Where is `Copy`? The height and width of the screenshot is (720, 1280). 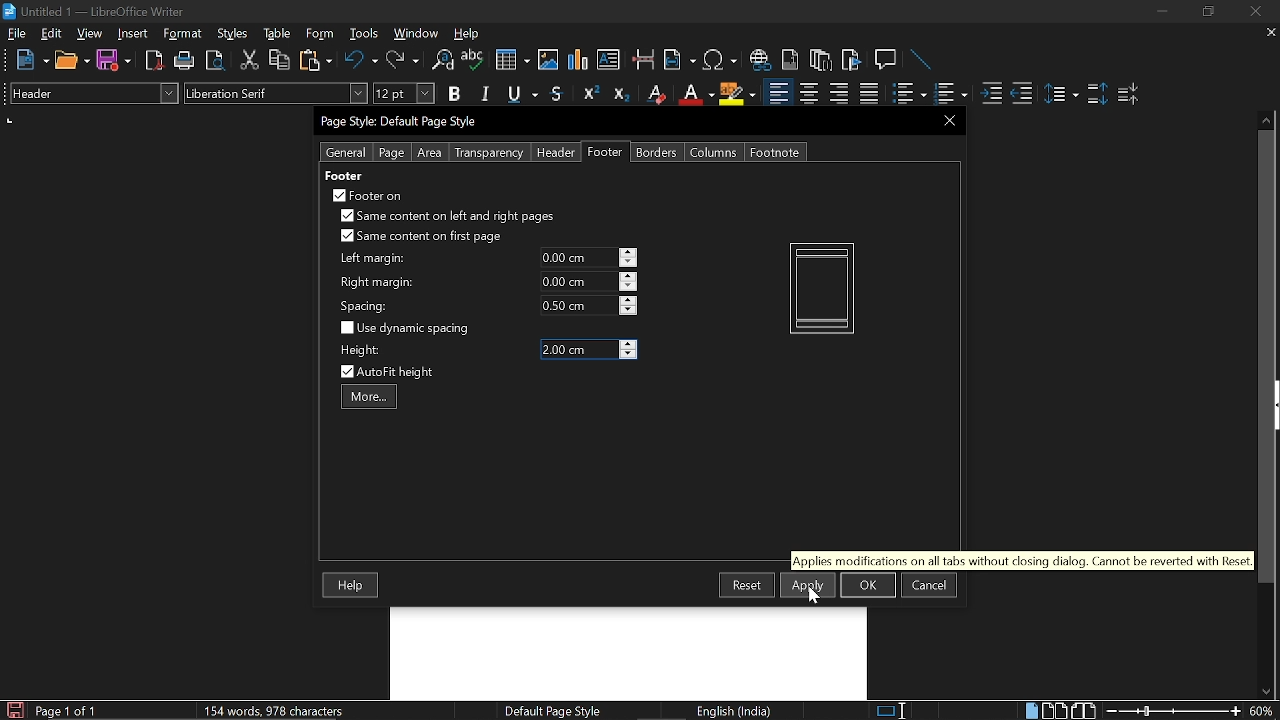
Copy is located at coordinates (278, 60).